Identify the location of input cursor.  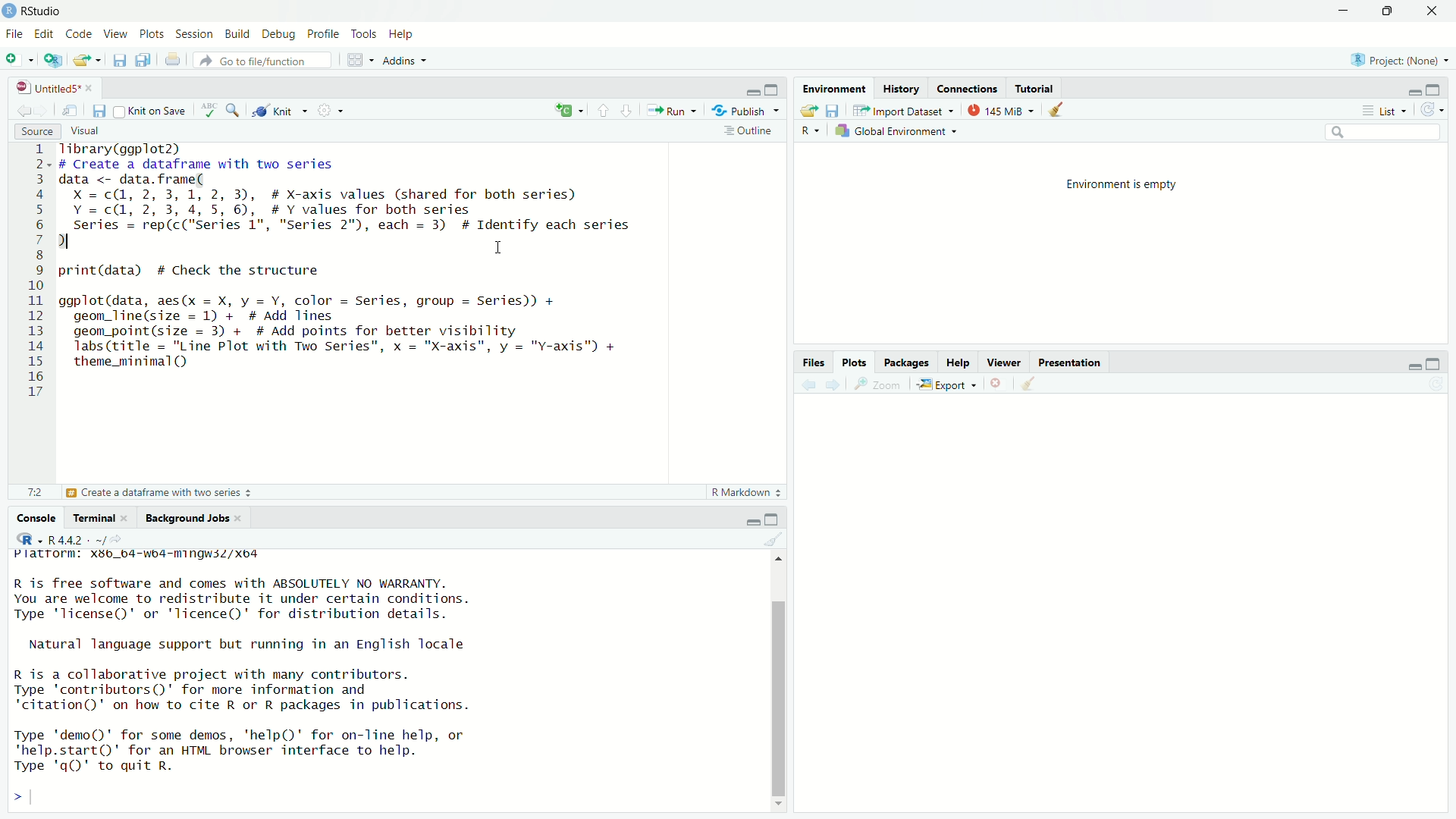
(35, 795).